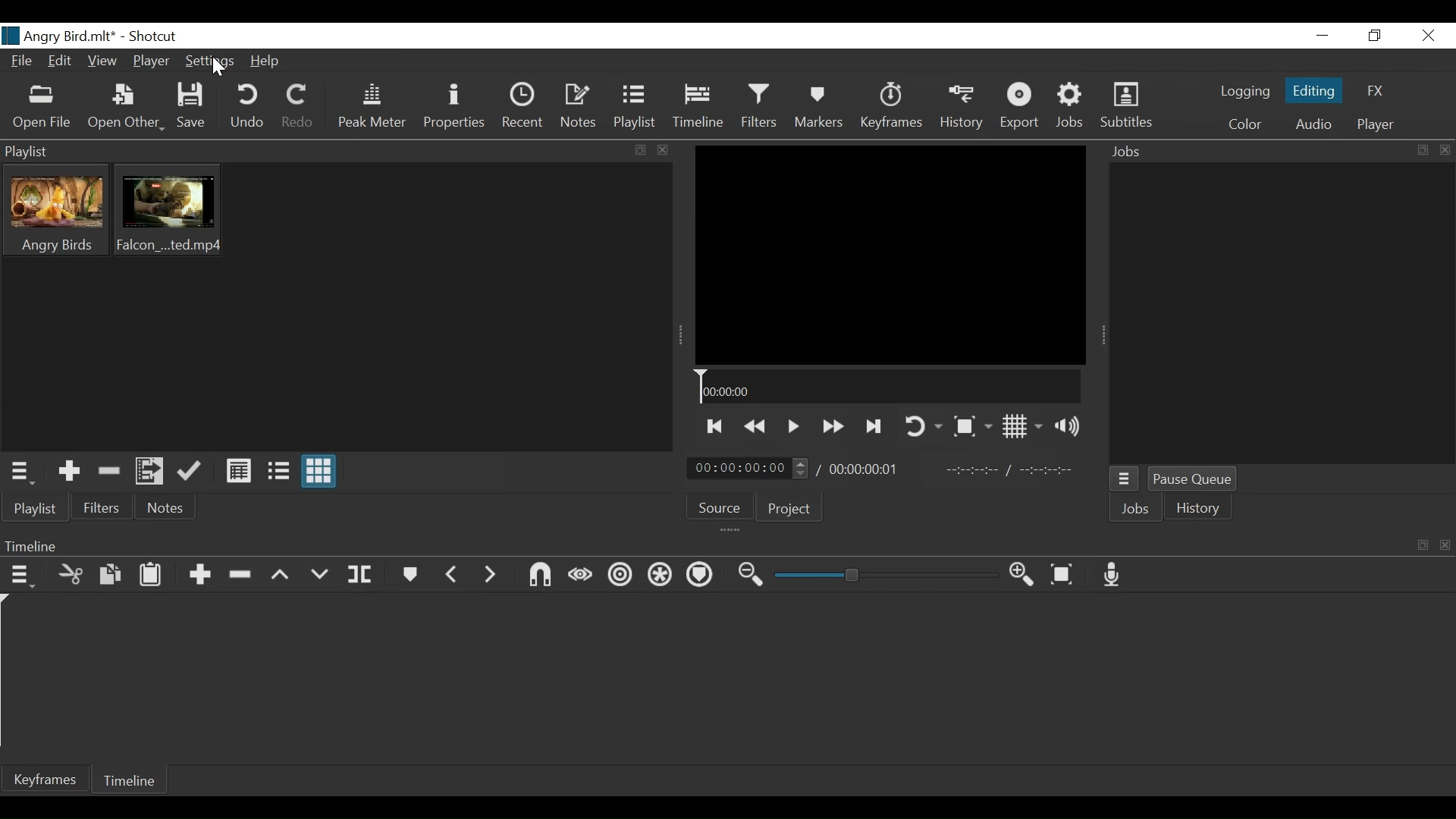  I want to click on Notes, so click(582, 105).